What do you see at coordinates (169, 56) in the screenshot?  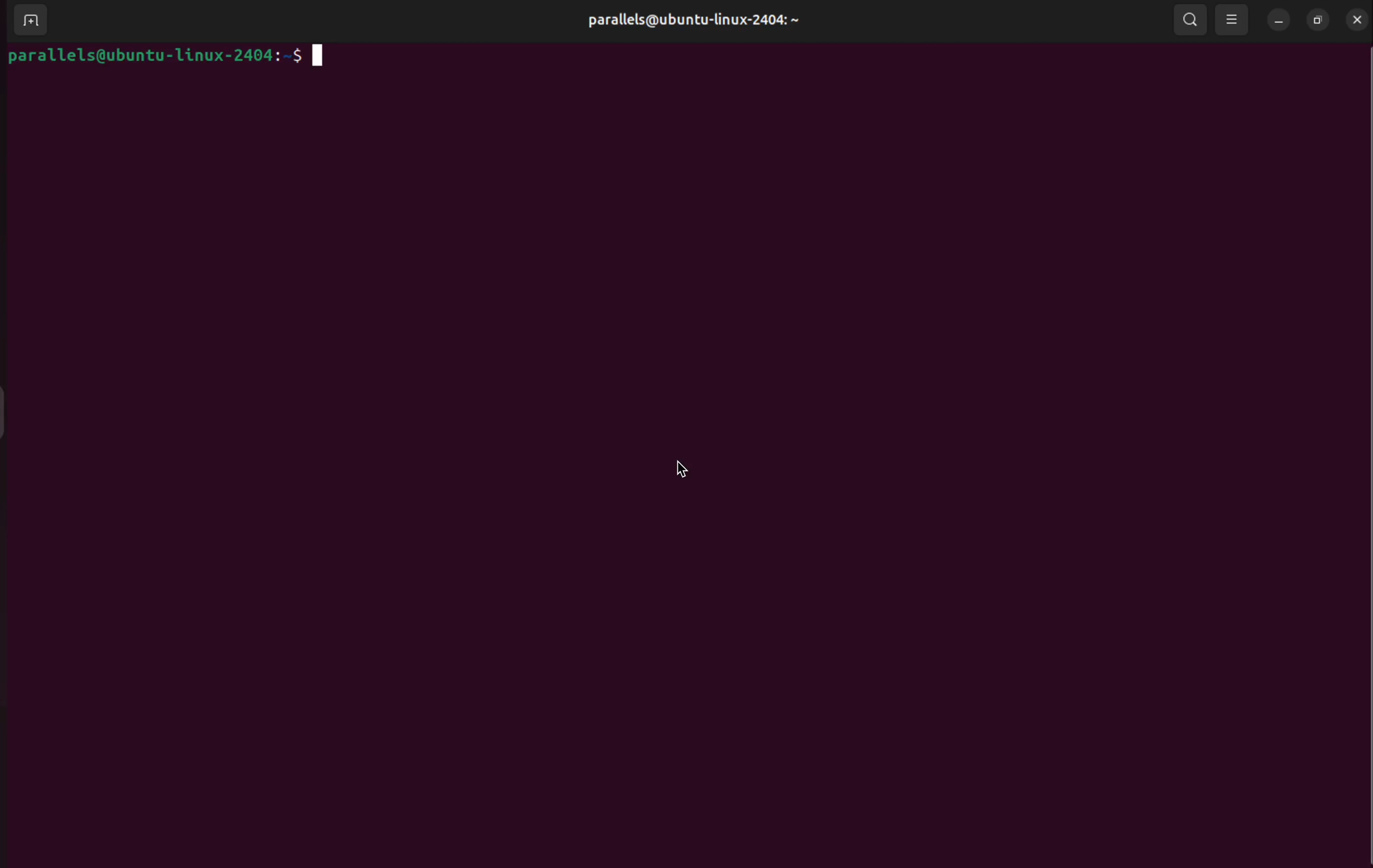 I see `bash prompt` at bounding box center [169, 56].